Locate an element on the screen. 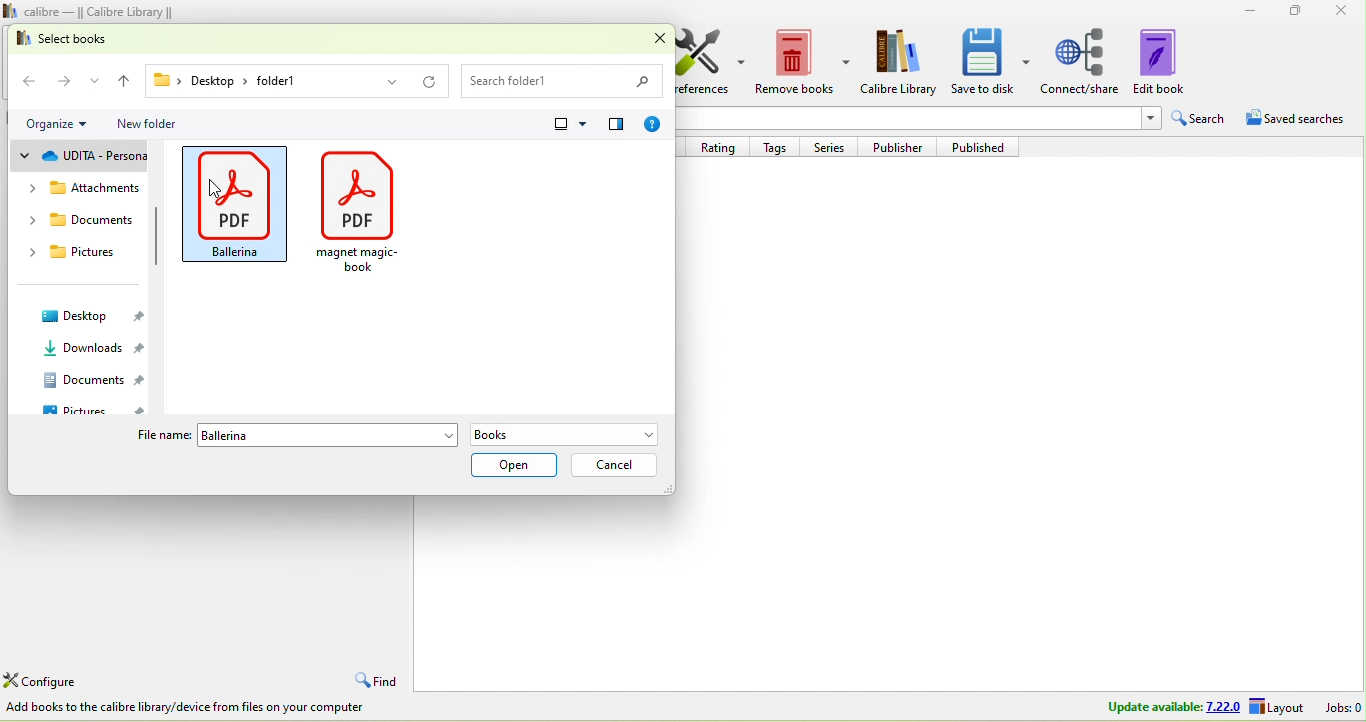 The height and width of the screenshot is (722, 1366). saved searches is located at coordinates (1297, 116).